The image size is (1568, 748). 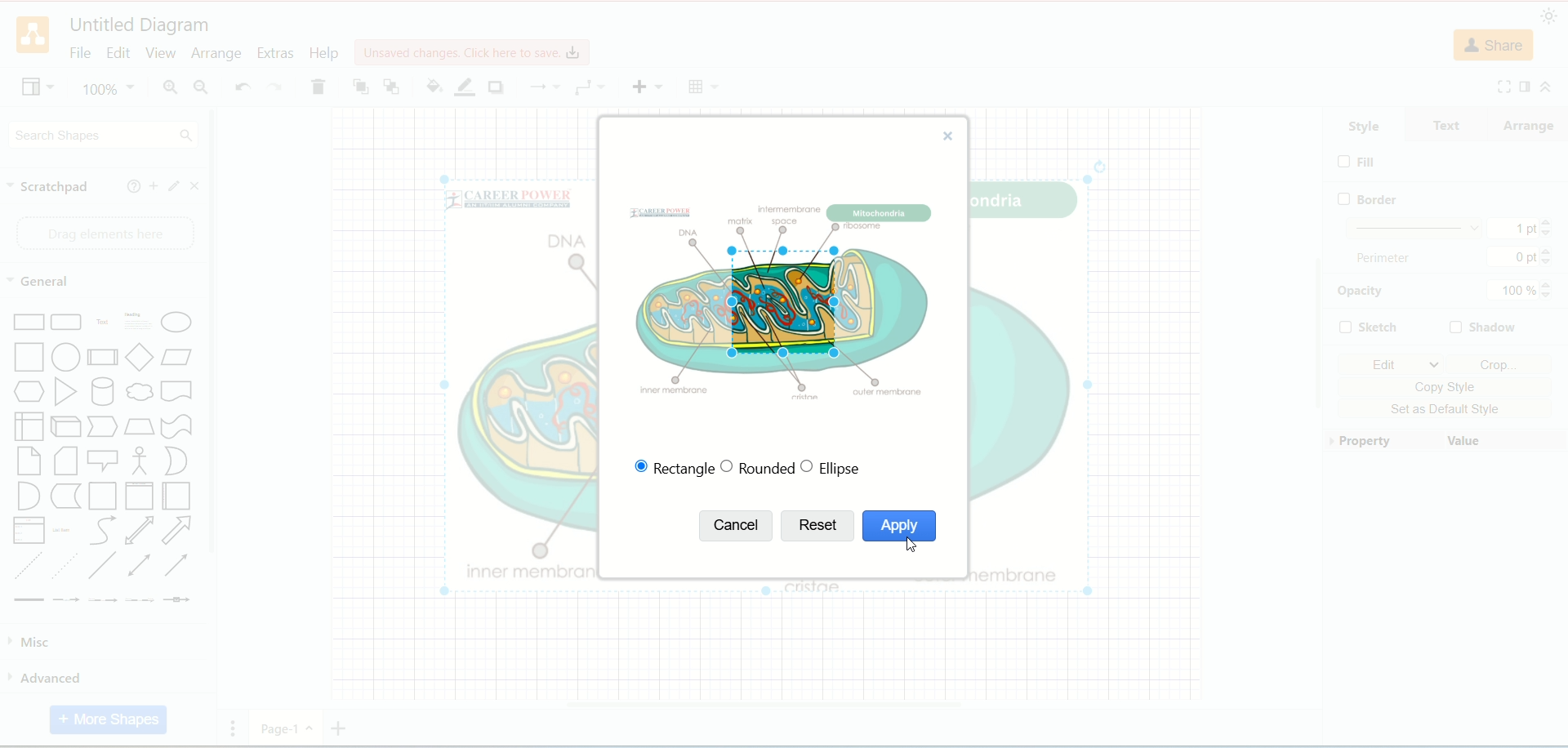 What do you see at coordinates (143, 567) in the screenshot?
I see `Bidirectional Connector` at bounding box center [143, 567].